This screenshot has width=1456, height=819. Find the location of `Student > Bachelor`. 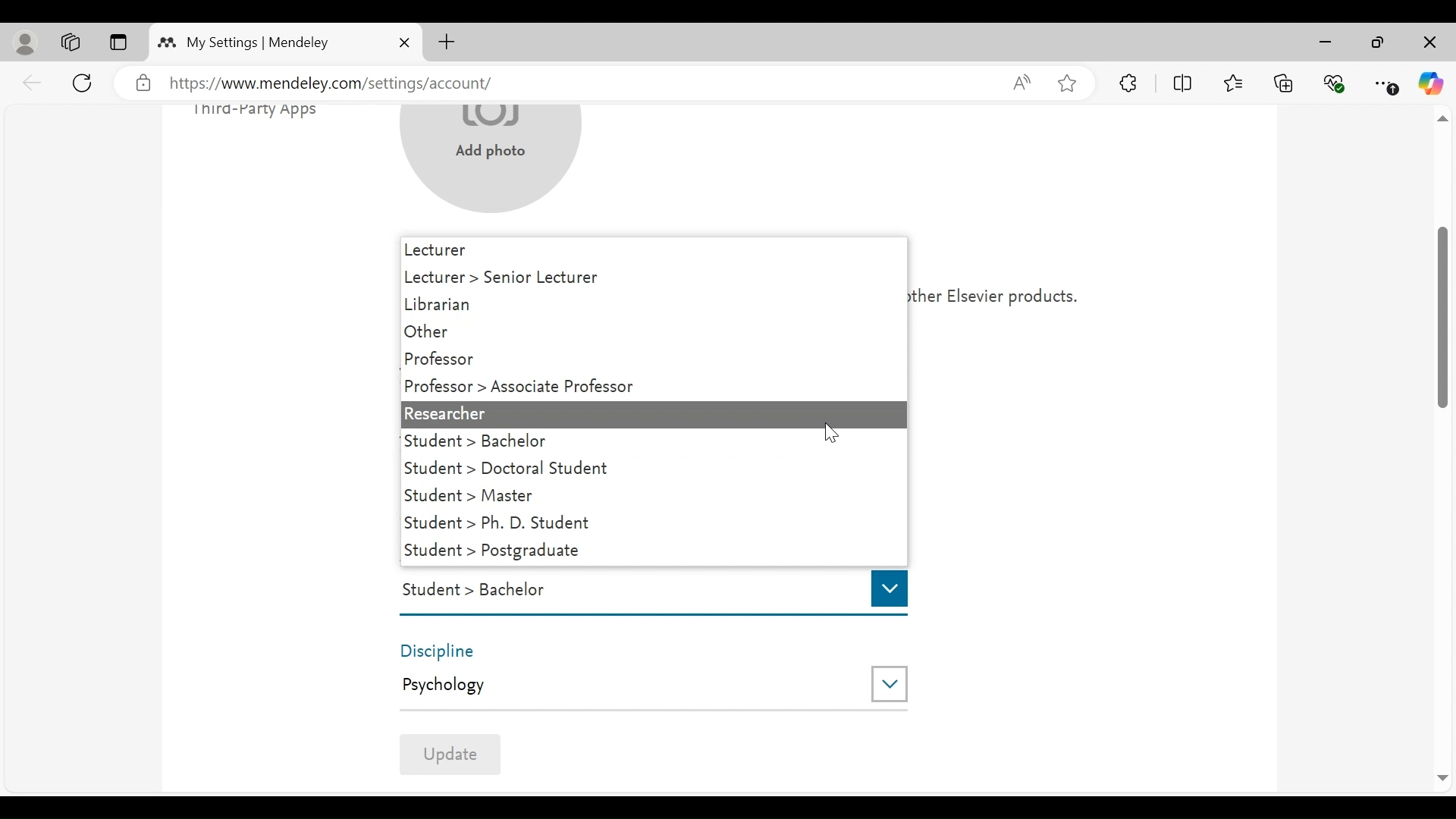

Student > Bachelor is located at coordinates (625, 590).